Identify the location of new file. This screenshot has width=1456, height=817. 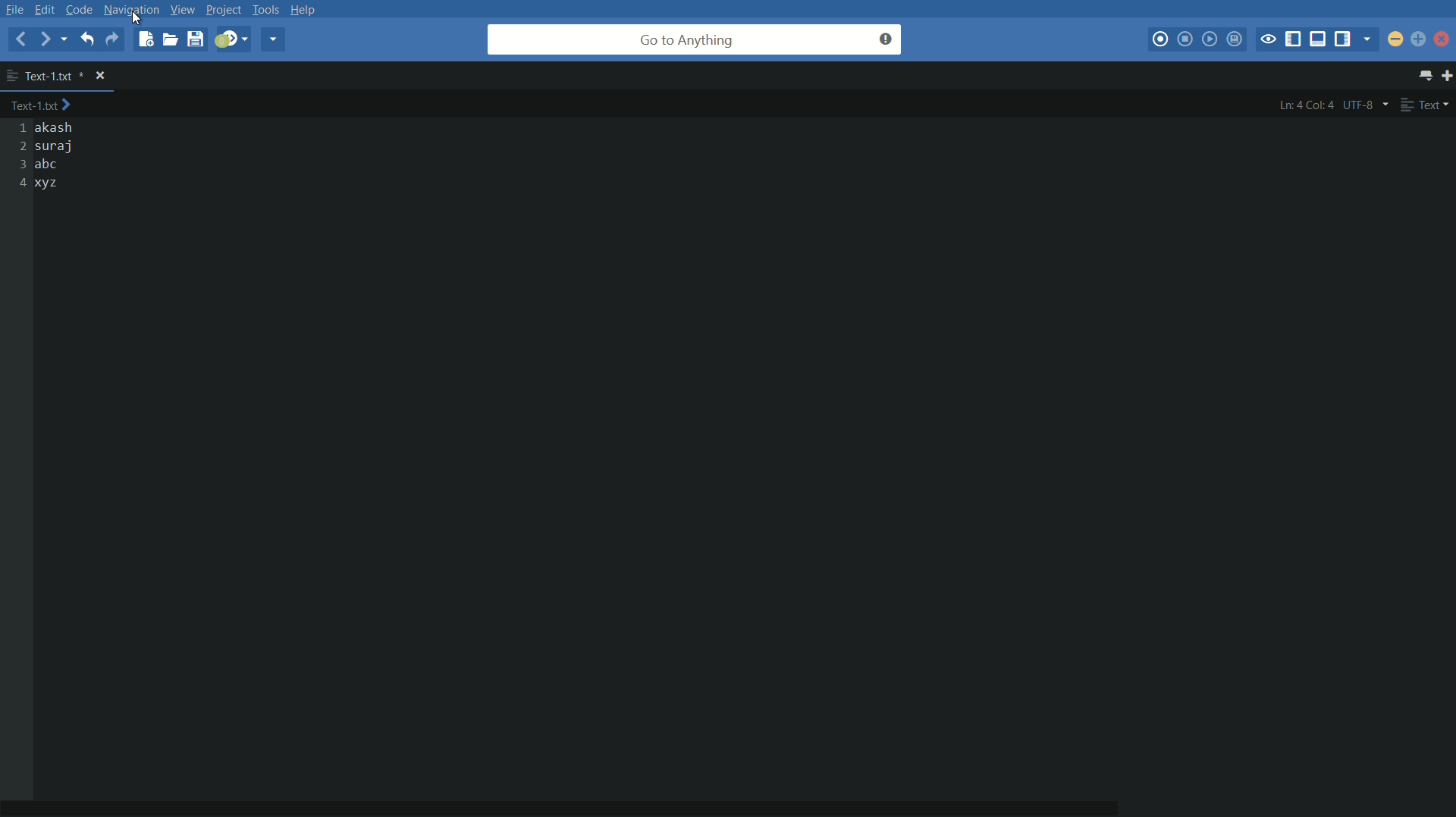
(144, 39).